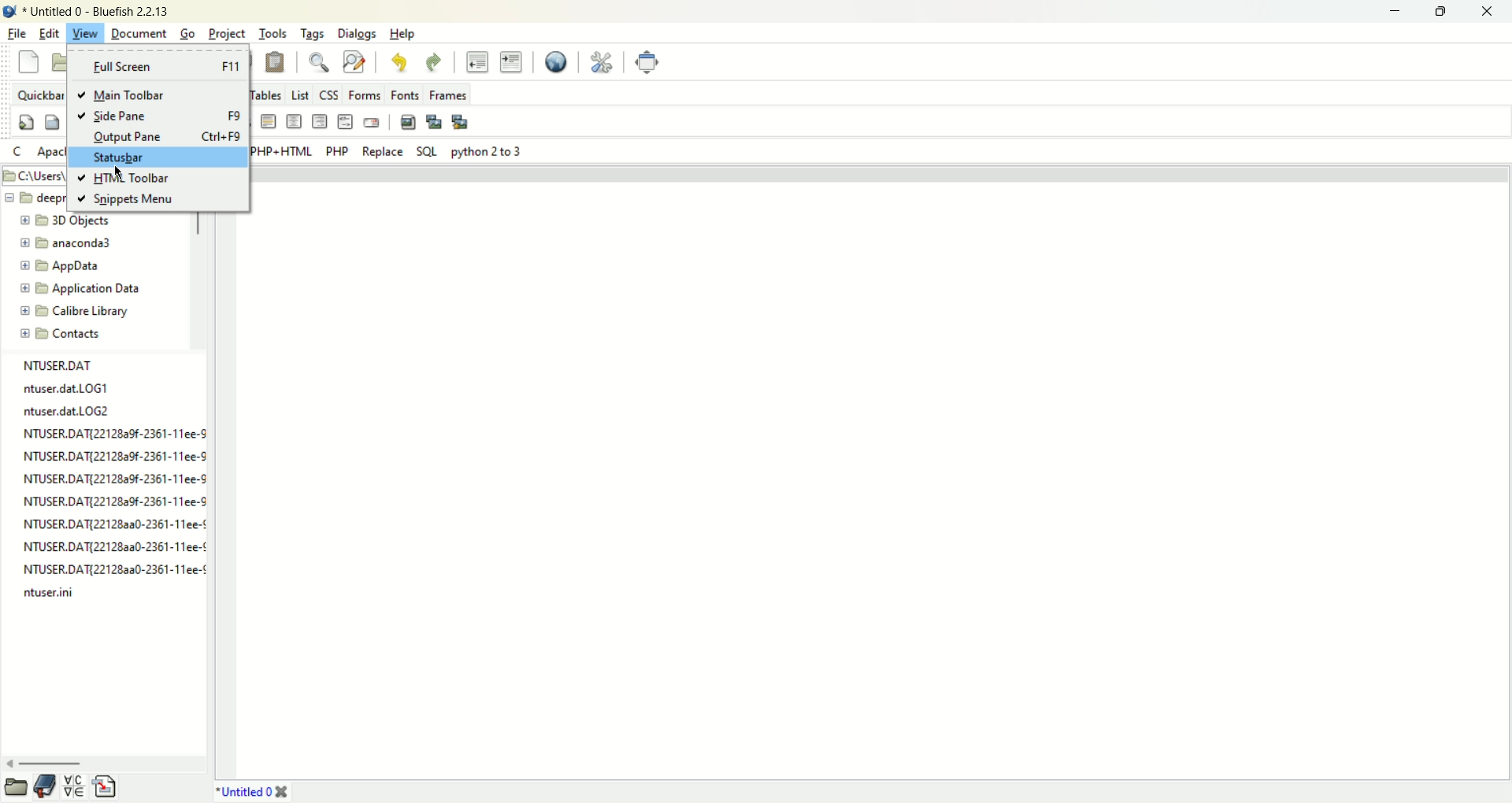 Image resolution: width=1512 pixels, height=803 pixels. Describe the element at coordinates (115, 433) in the screenshot. I see `NTUSER.DAT{22128a9f-2361-11ee-S` at that location.